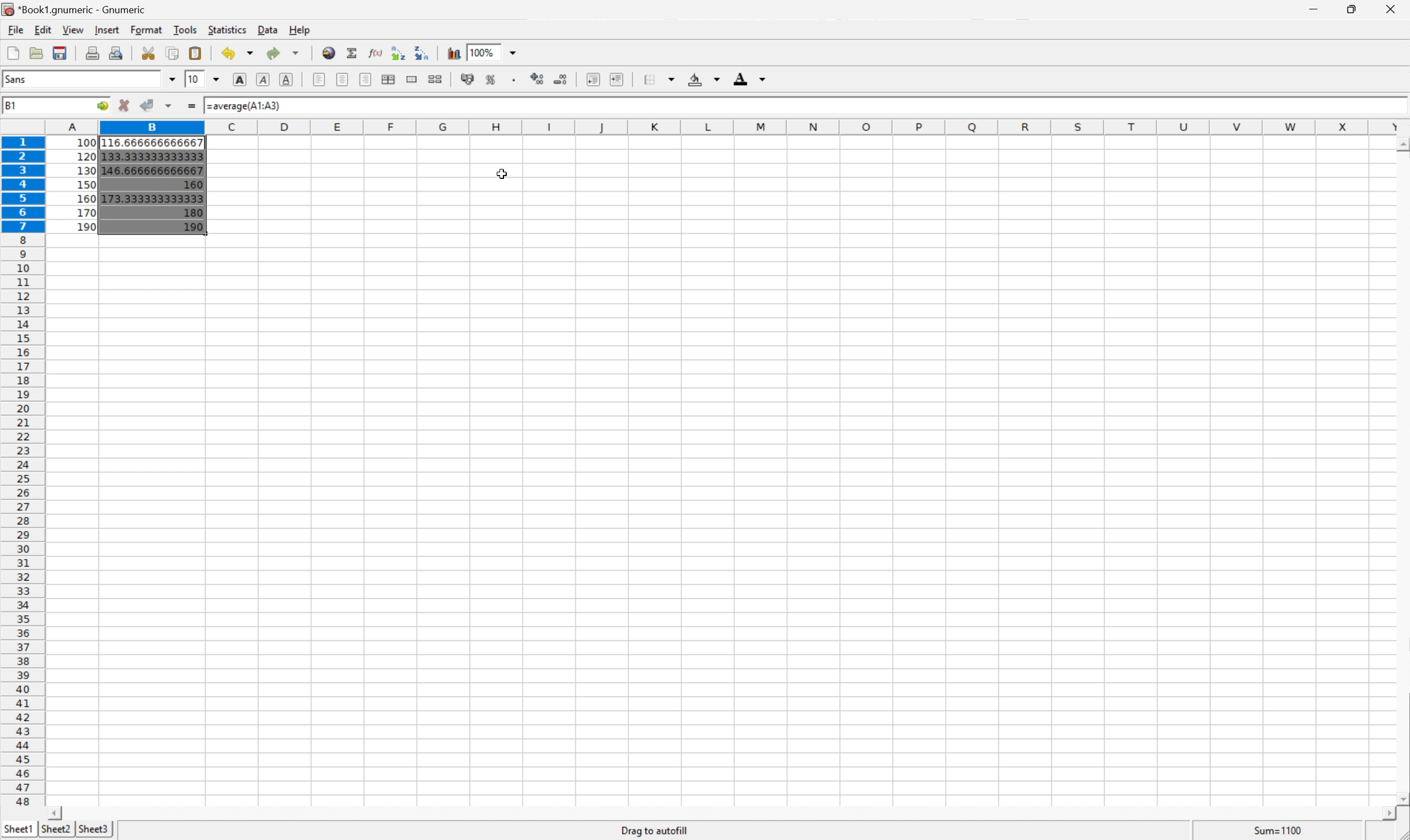 This screenshot has height=840, width=1410. Describe the element at coordinates (168, 106) in the screenshot. I see `Accept changes in multiple cells` at that location.